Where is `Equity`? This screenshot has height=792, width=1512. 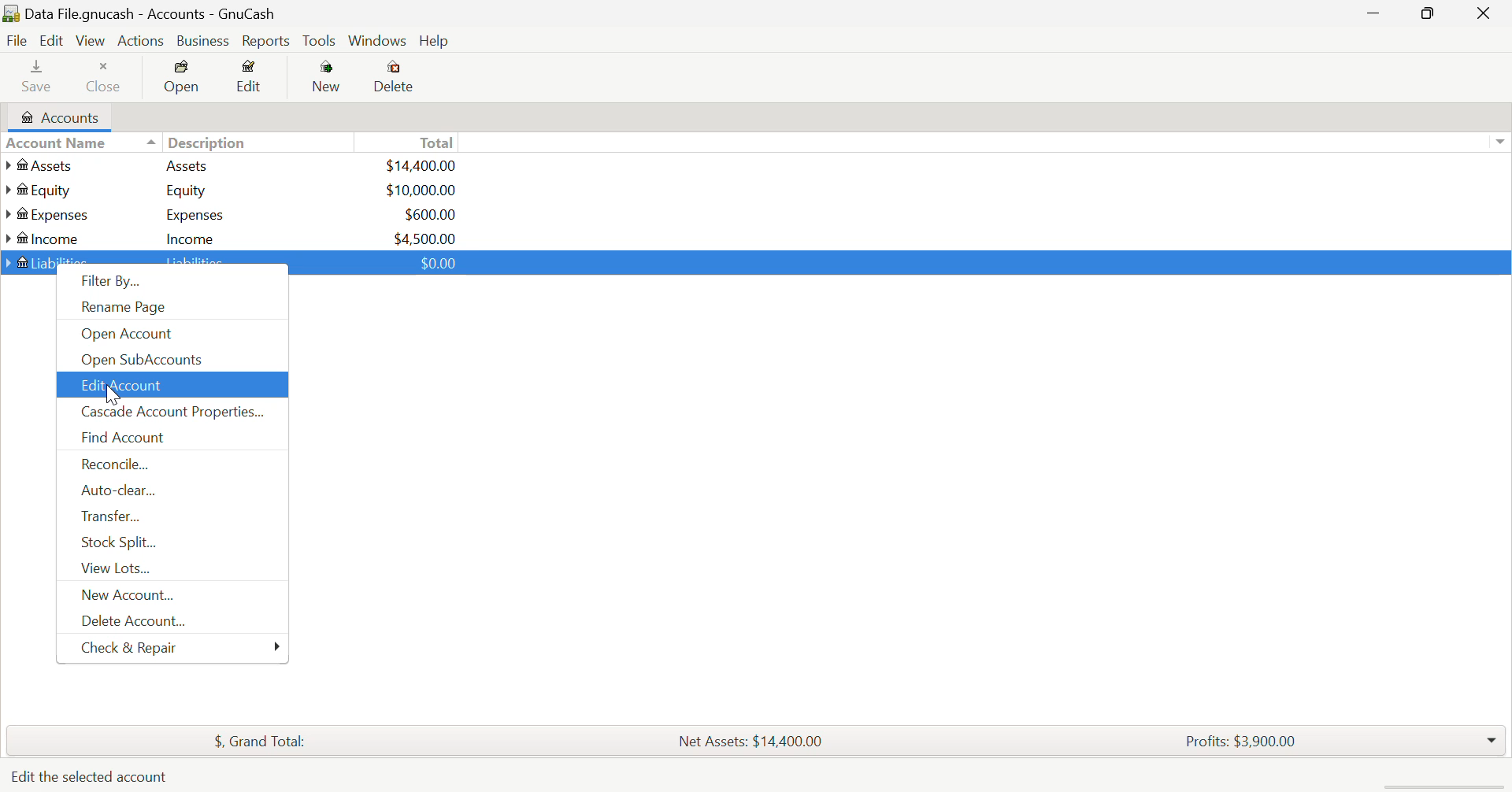 Equity is located at coordinates (189, 190).